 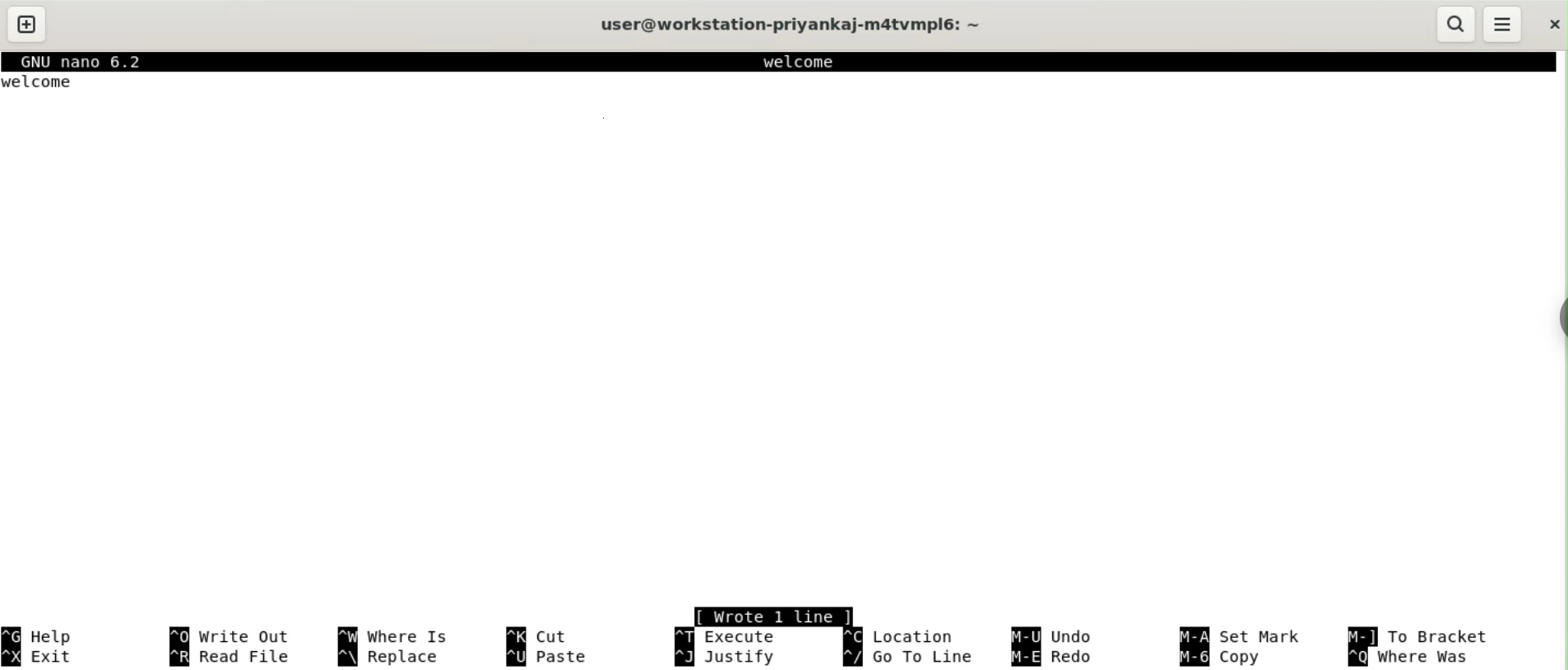 What do you see at coordinates (1416, 636) in the screenshot?
I see `to bracket` at bounding box center [1416, 636].